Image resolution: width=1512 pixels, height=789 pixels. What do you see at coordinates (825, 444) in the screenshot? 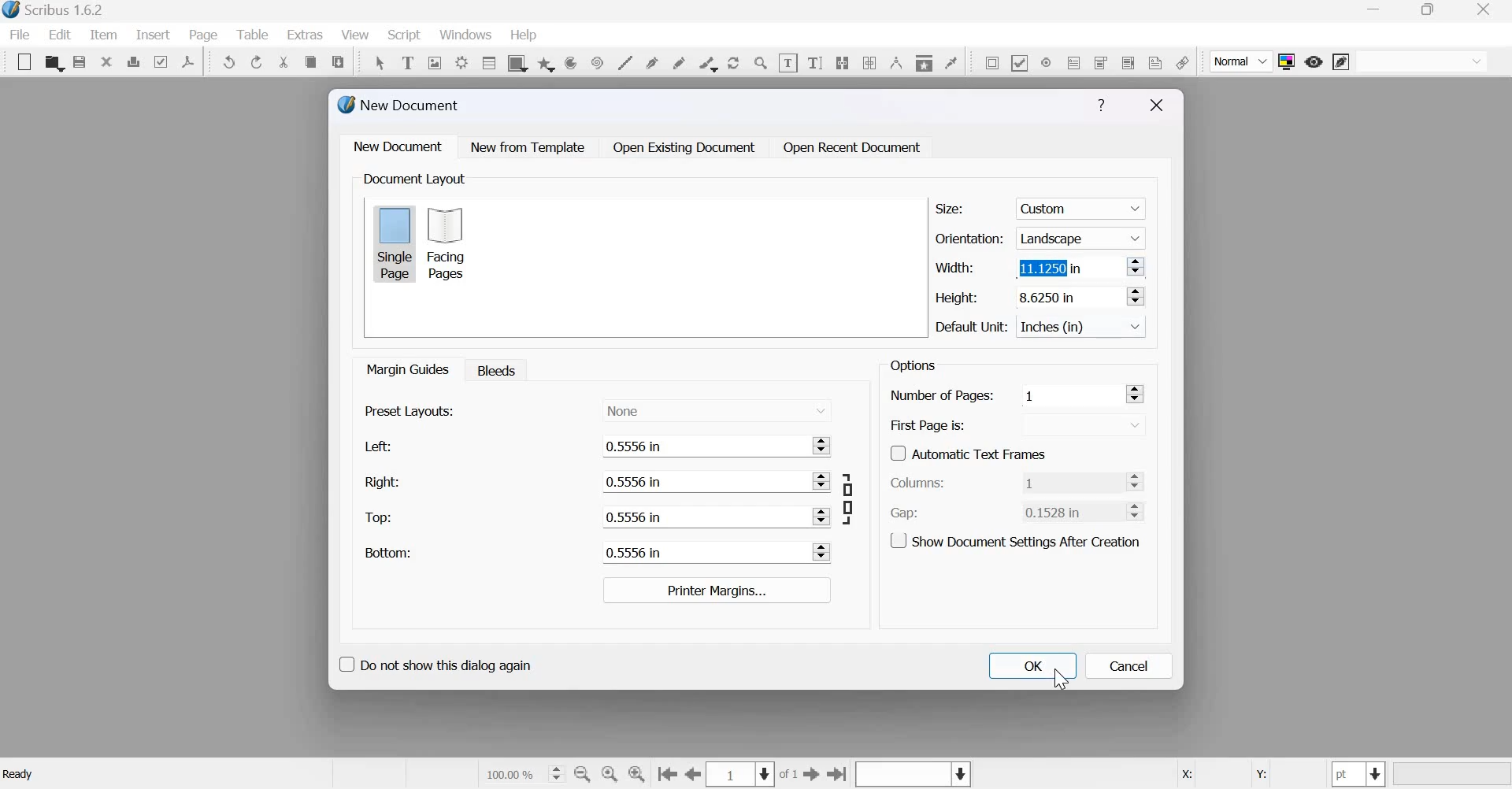
I see `Increase and Decrease` at bounding box center [825, 444].